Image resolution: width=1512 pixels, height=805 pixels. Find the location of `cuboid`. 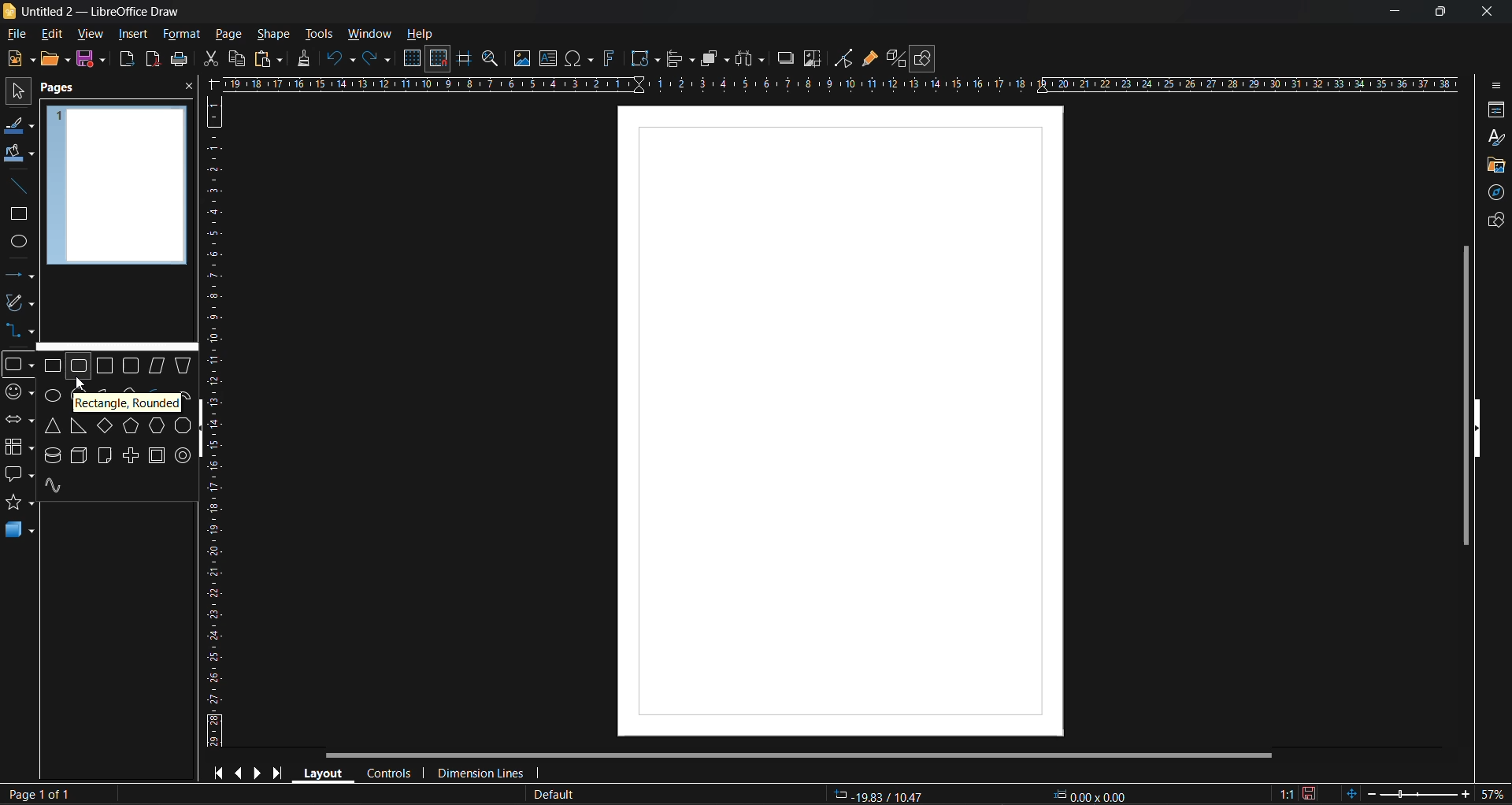

cuboid is located at coordinates (80, 456).